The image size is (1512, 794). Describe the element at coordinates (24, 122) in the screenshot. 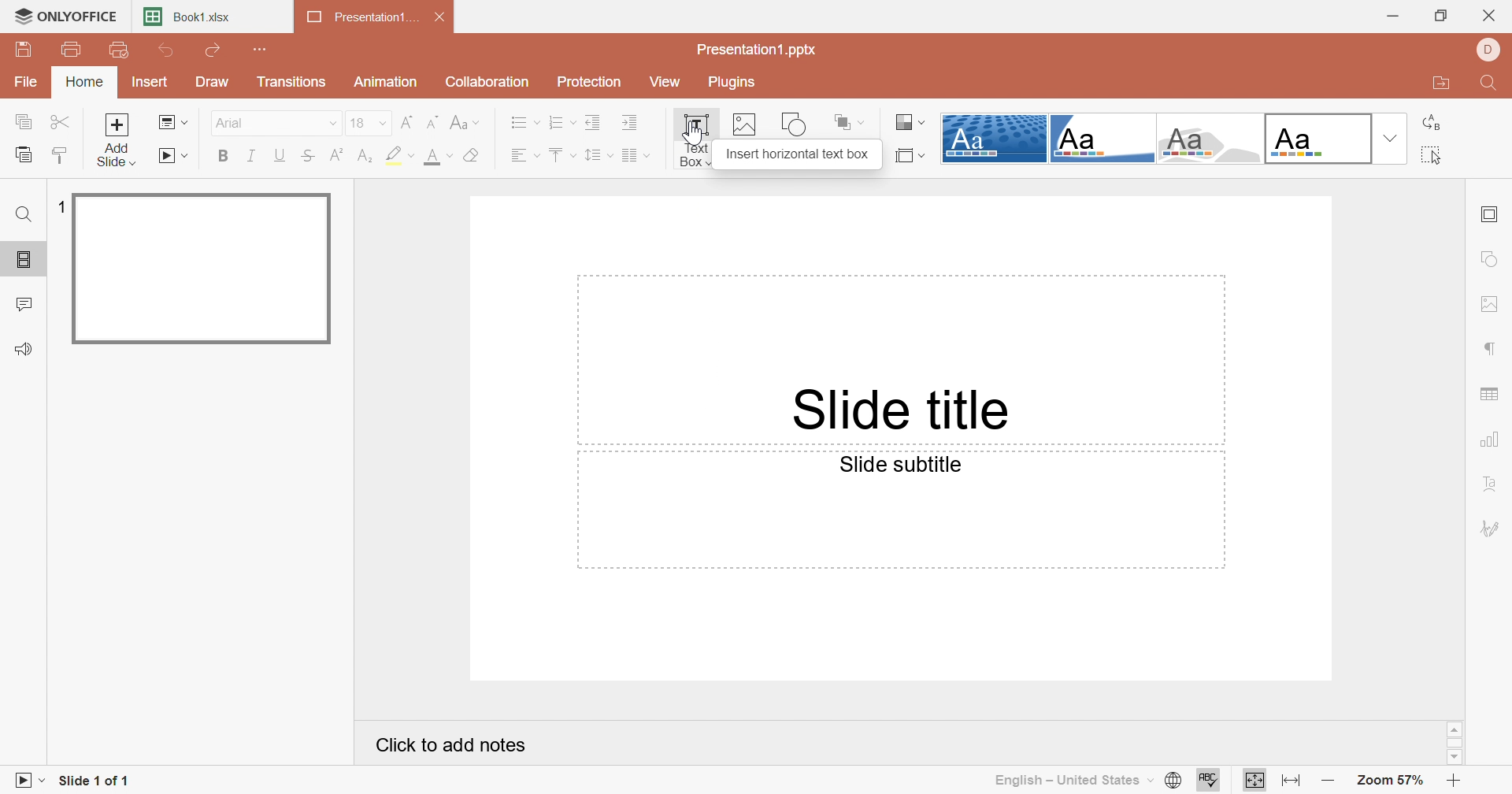

I see `Copy` at that location.